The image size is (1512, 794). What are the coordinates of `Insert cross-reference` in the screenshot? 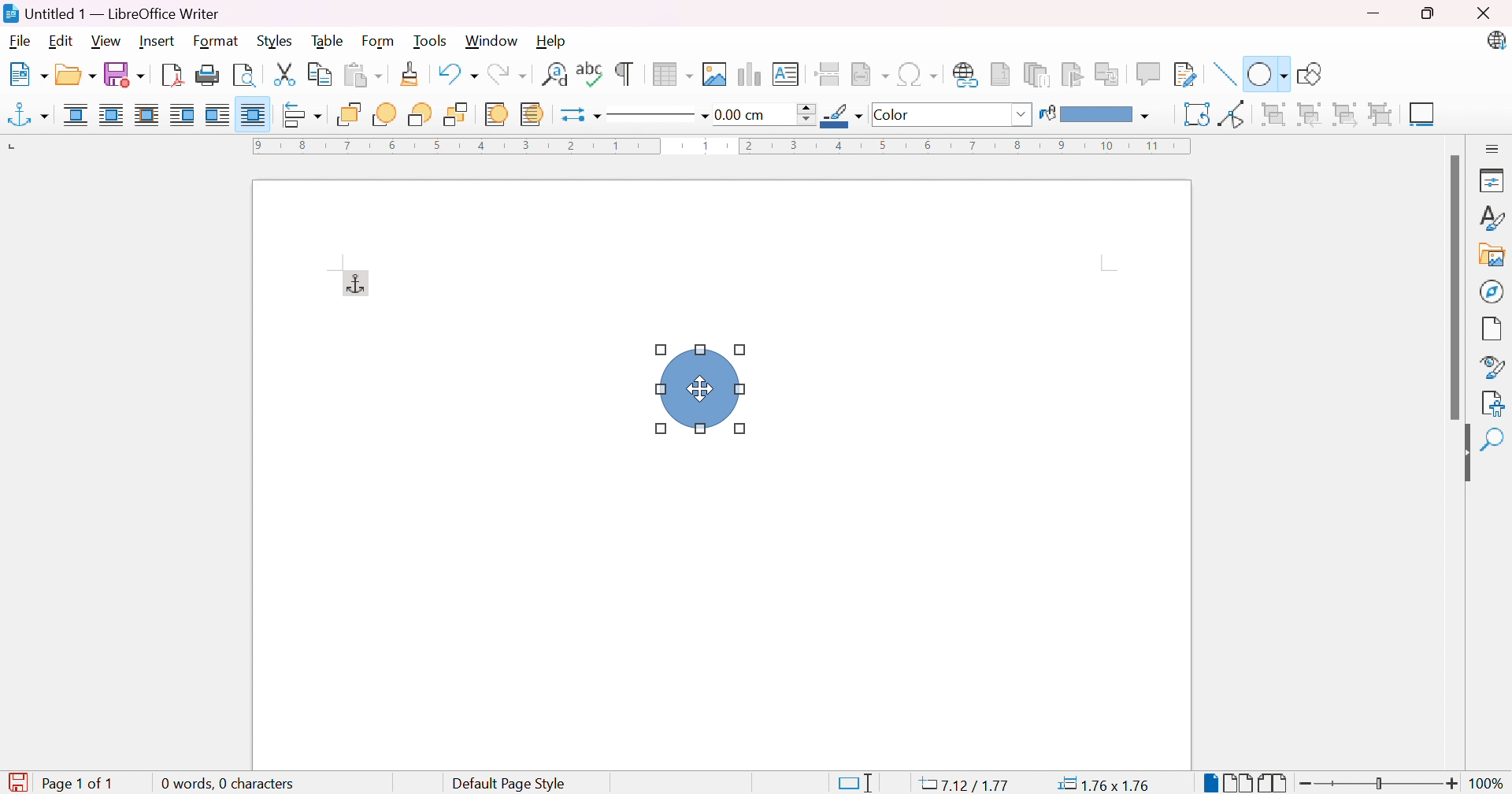 It's located at (1110, 76).